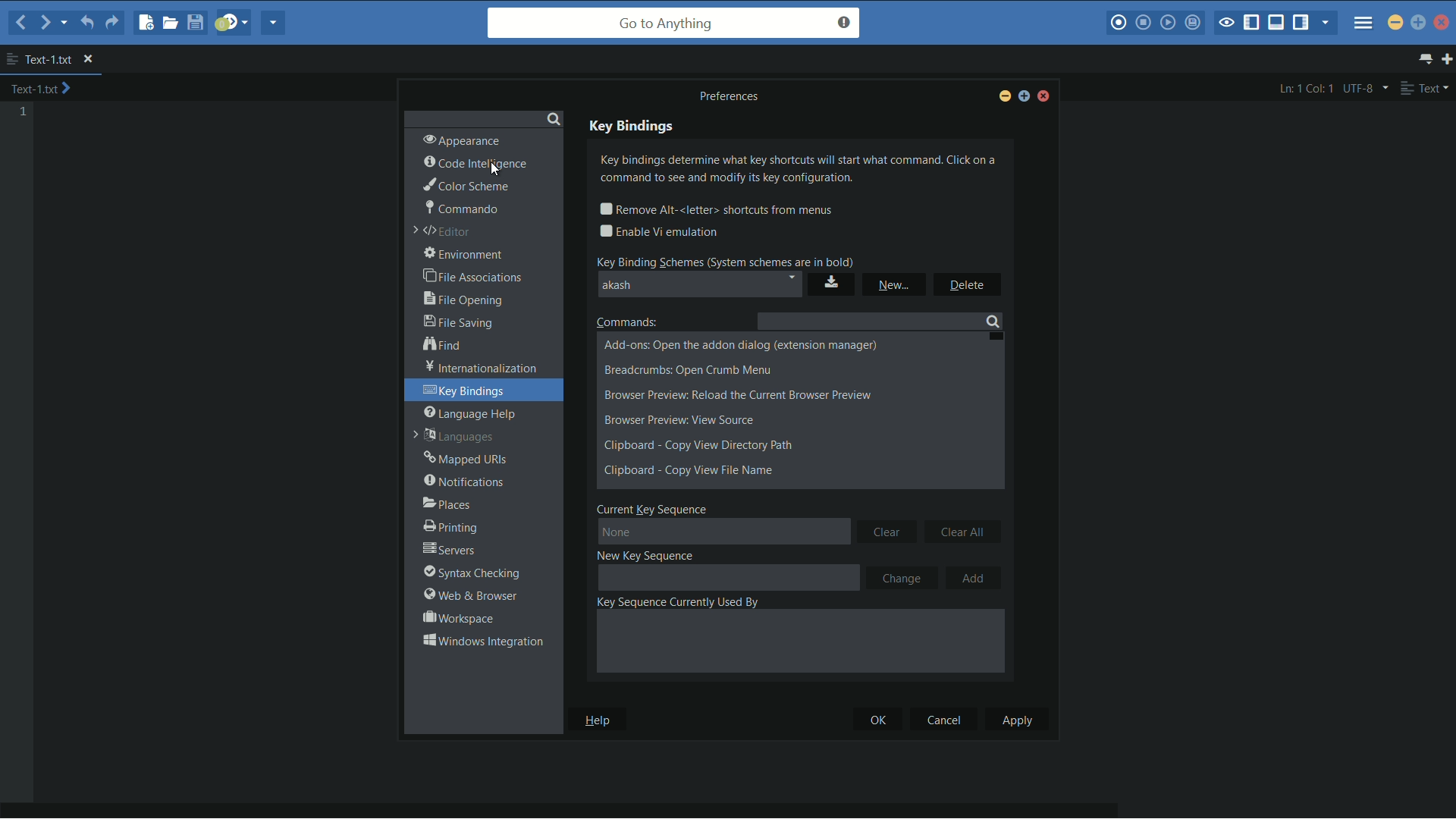  I want to click on share current file, so click(275, 24).